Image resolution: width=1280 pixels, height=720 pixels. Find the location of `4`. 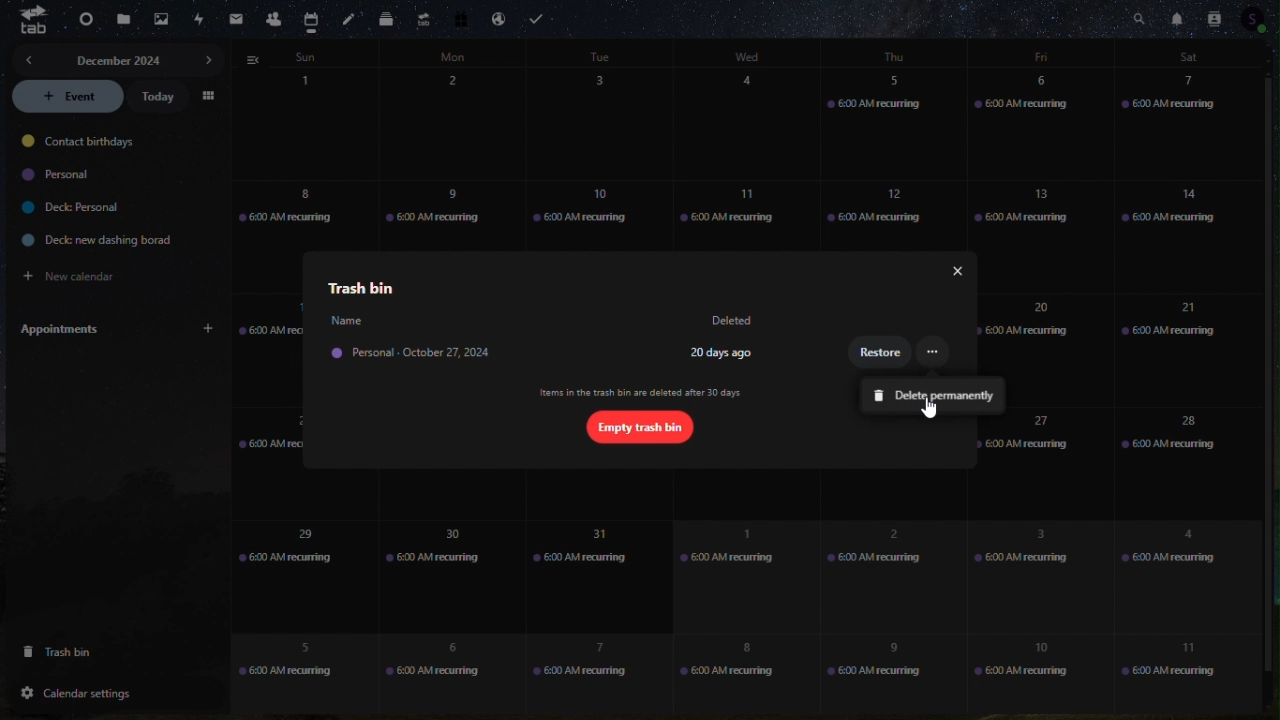

4 is located at coordinates (759, 123).